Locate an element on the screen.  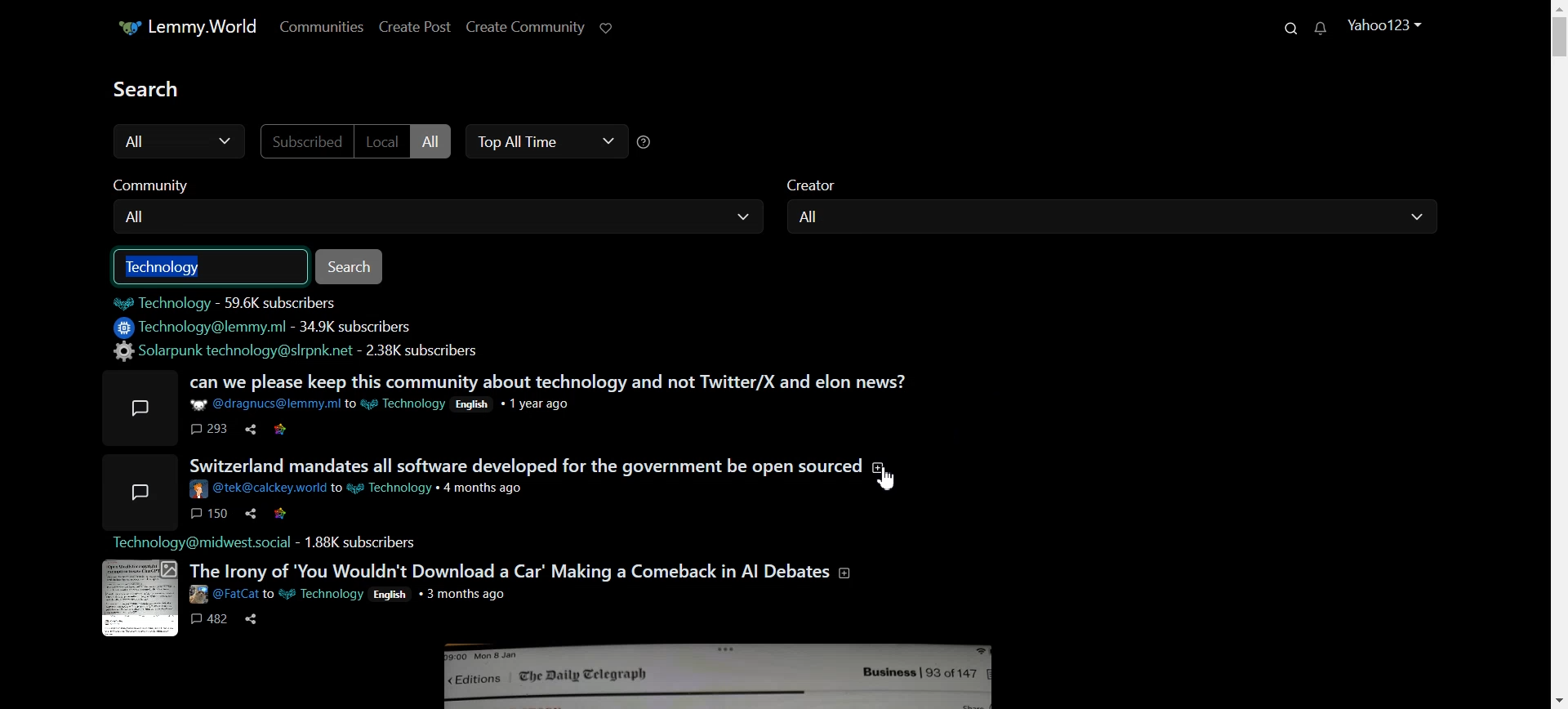
All is located at coordinates (434, 142).